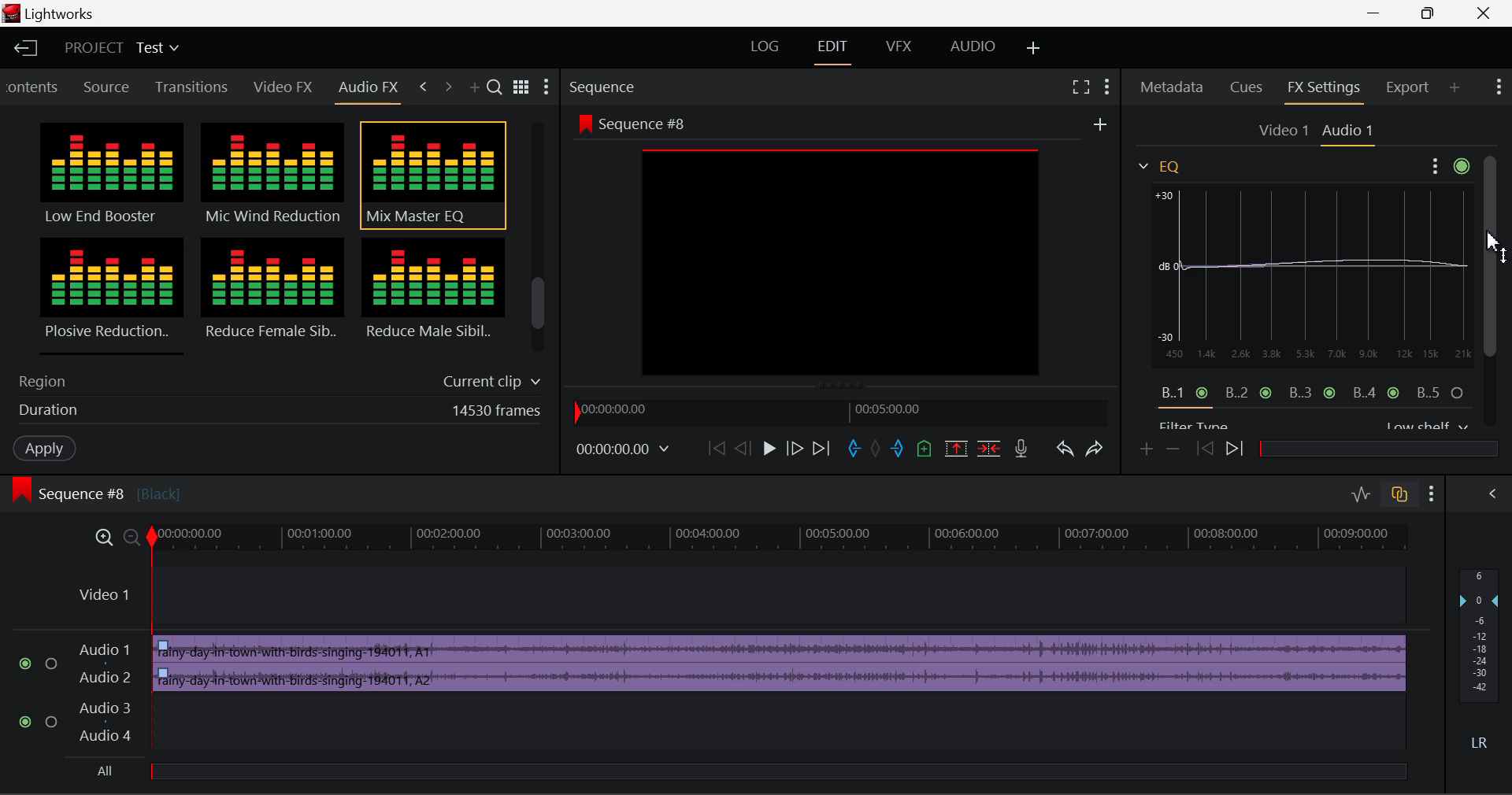 This screenshot has height=795, width=1512. I want to click on Source, so click(109, 87).